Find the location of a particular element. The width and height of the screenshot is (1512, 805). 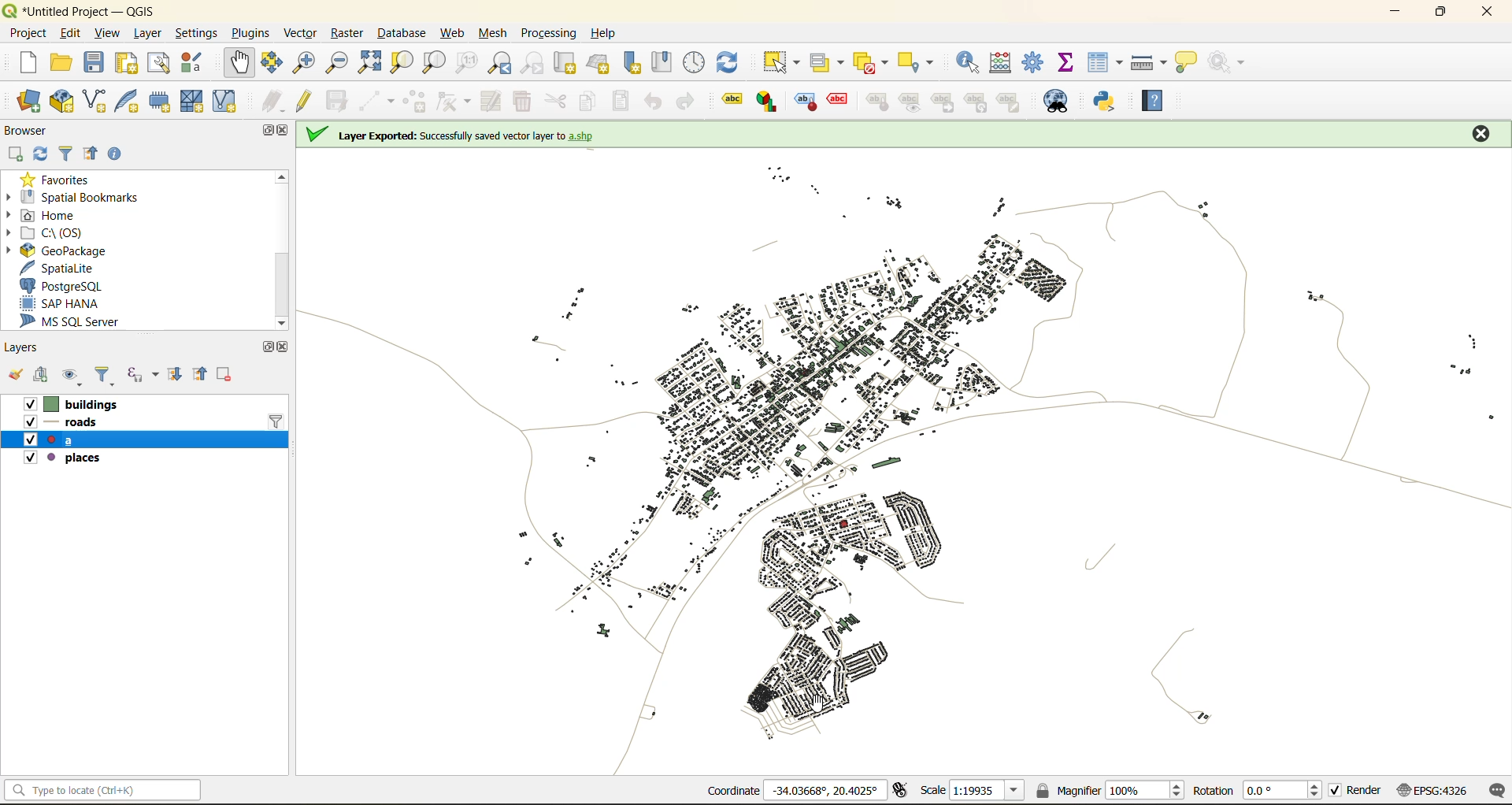

select location is located at coordinates (917, 61).